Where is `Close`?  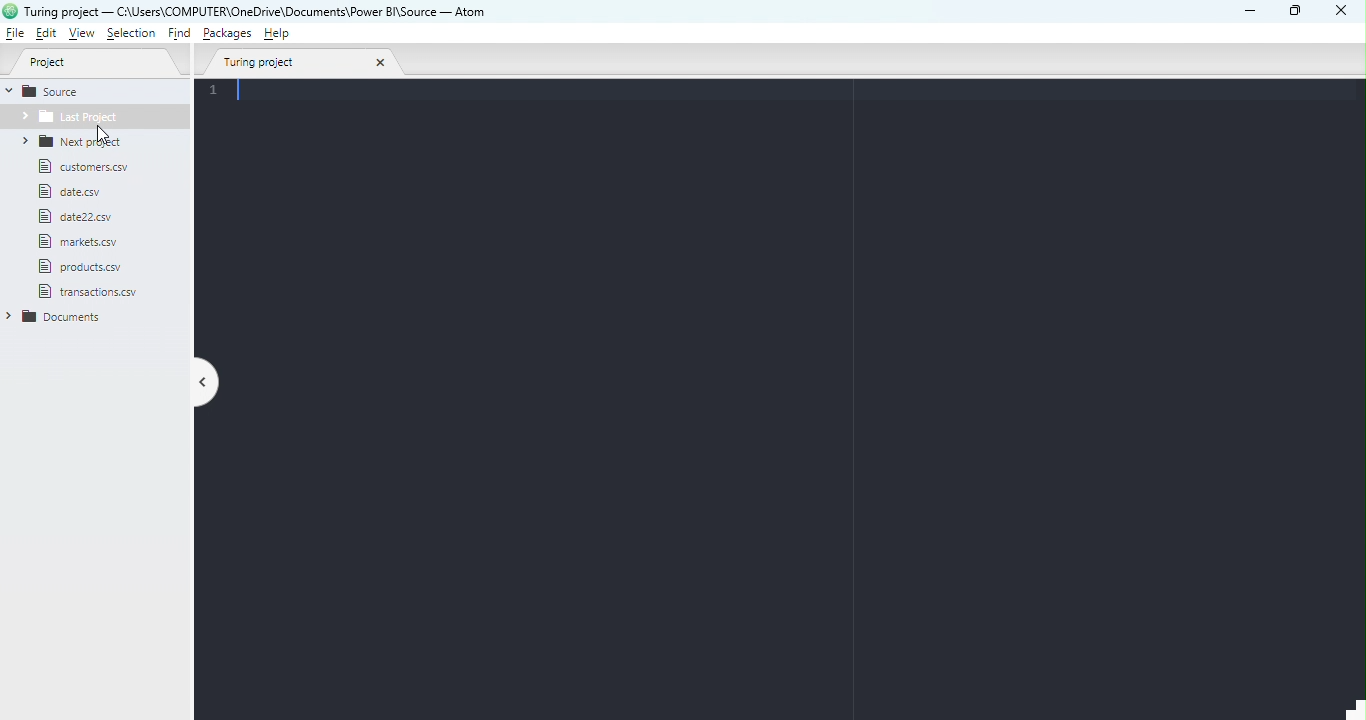
Close is located at coordinates (1341, 12).